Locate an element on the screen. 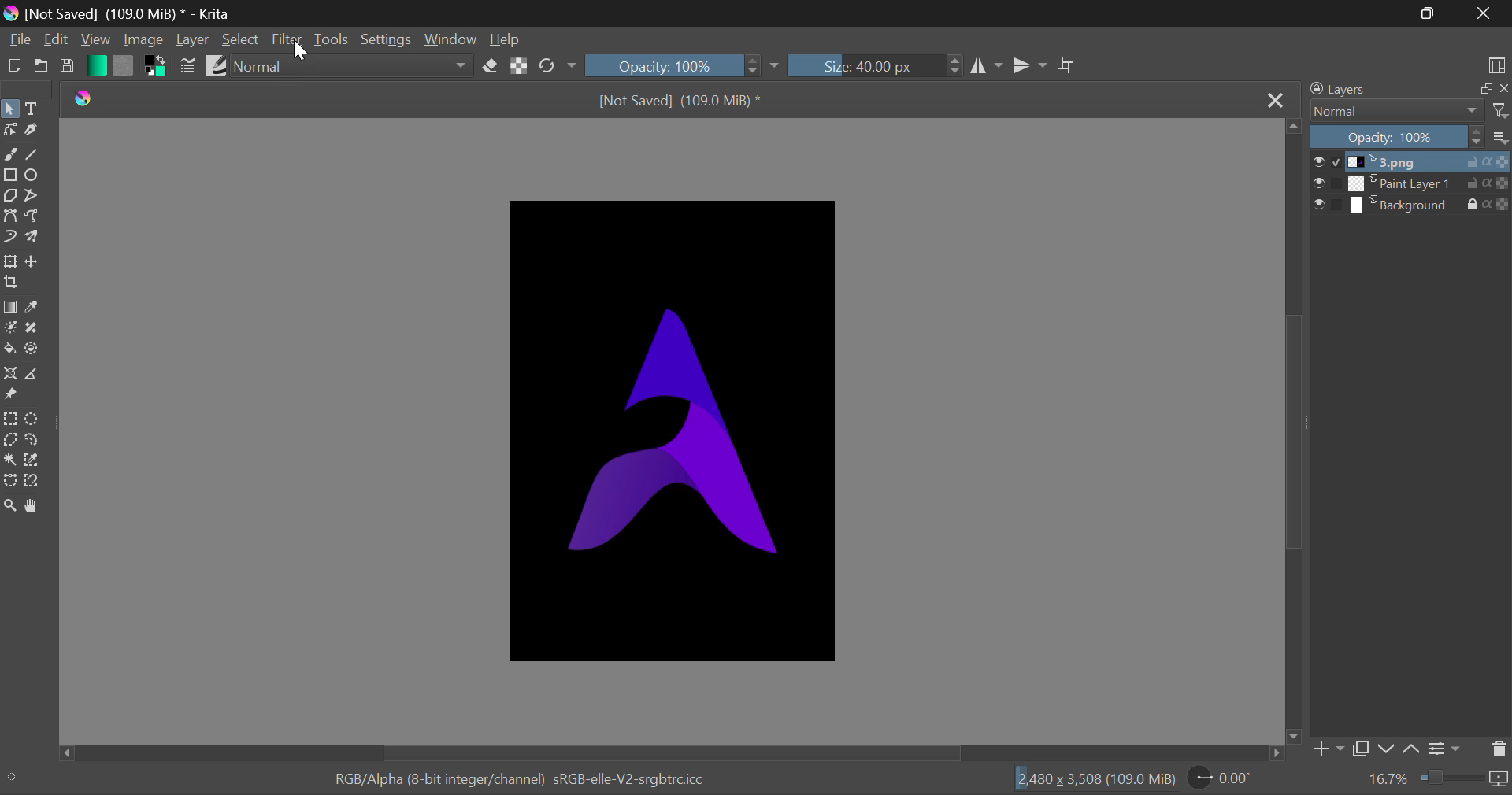 The image size is (1512, 795). Close is located at coordinates (1484, 14).